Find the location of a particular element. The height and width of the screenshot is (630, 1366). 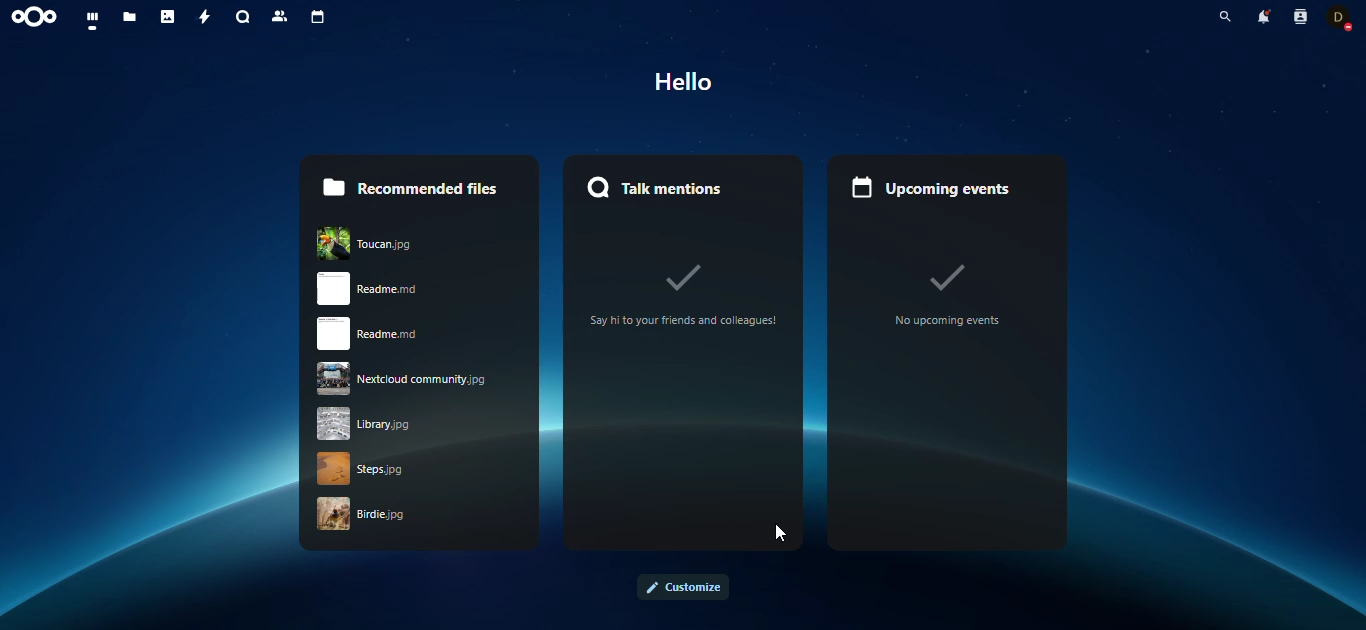

search is located at coordinates (244, 19).